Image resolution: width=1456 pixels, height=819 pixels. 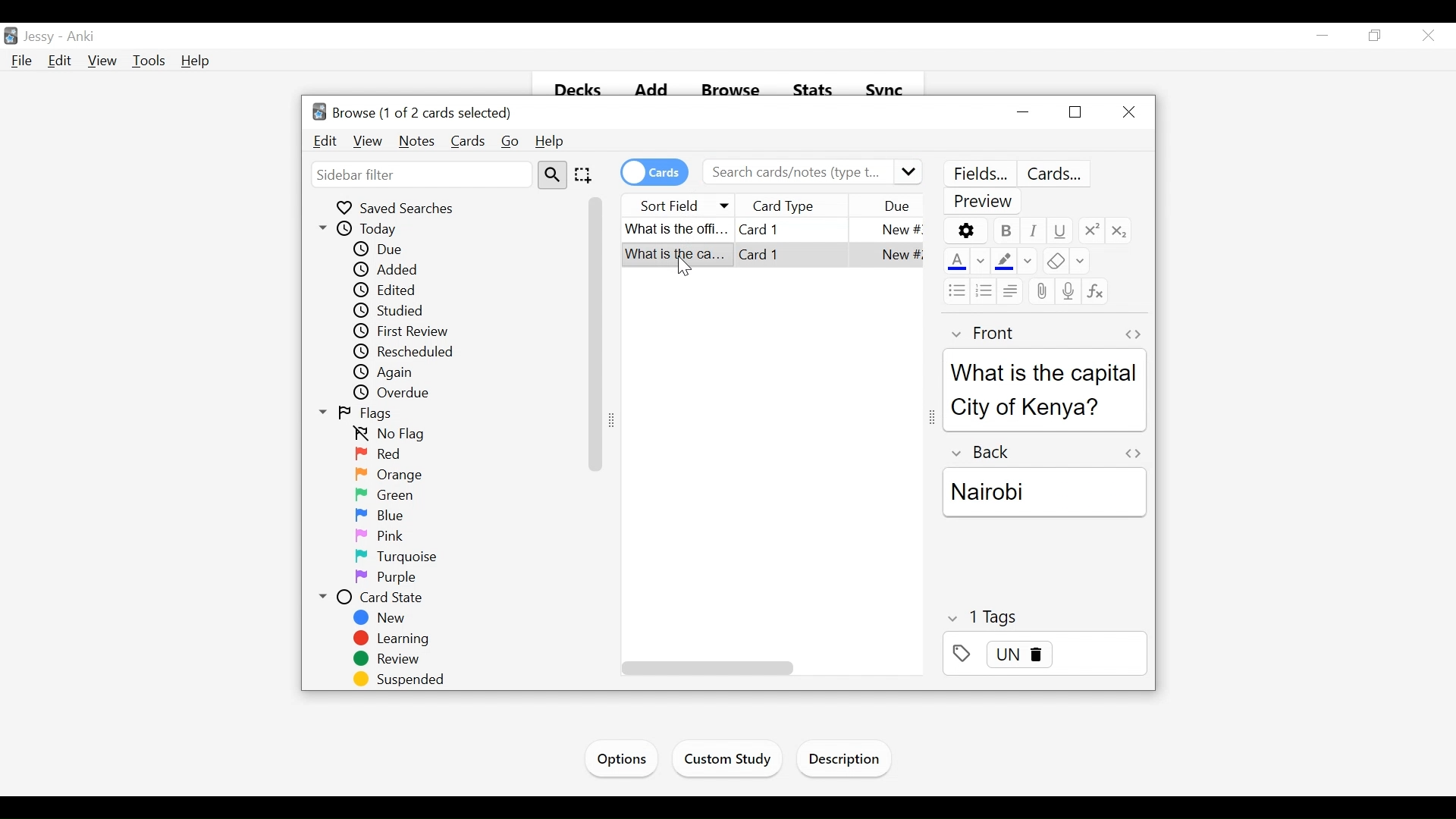 What do you see at coordinates (392, 372) in the screenshot?
I see `Again` at bounding box center [392, 372].